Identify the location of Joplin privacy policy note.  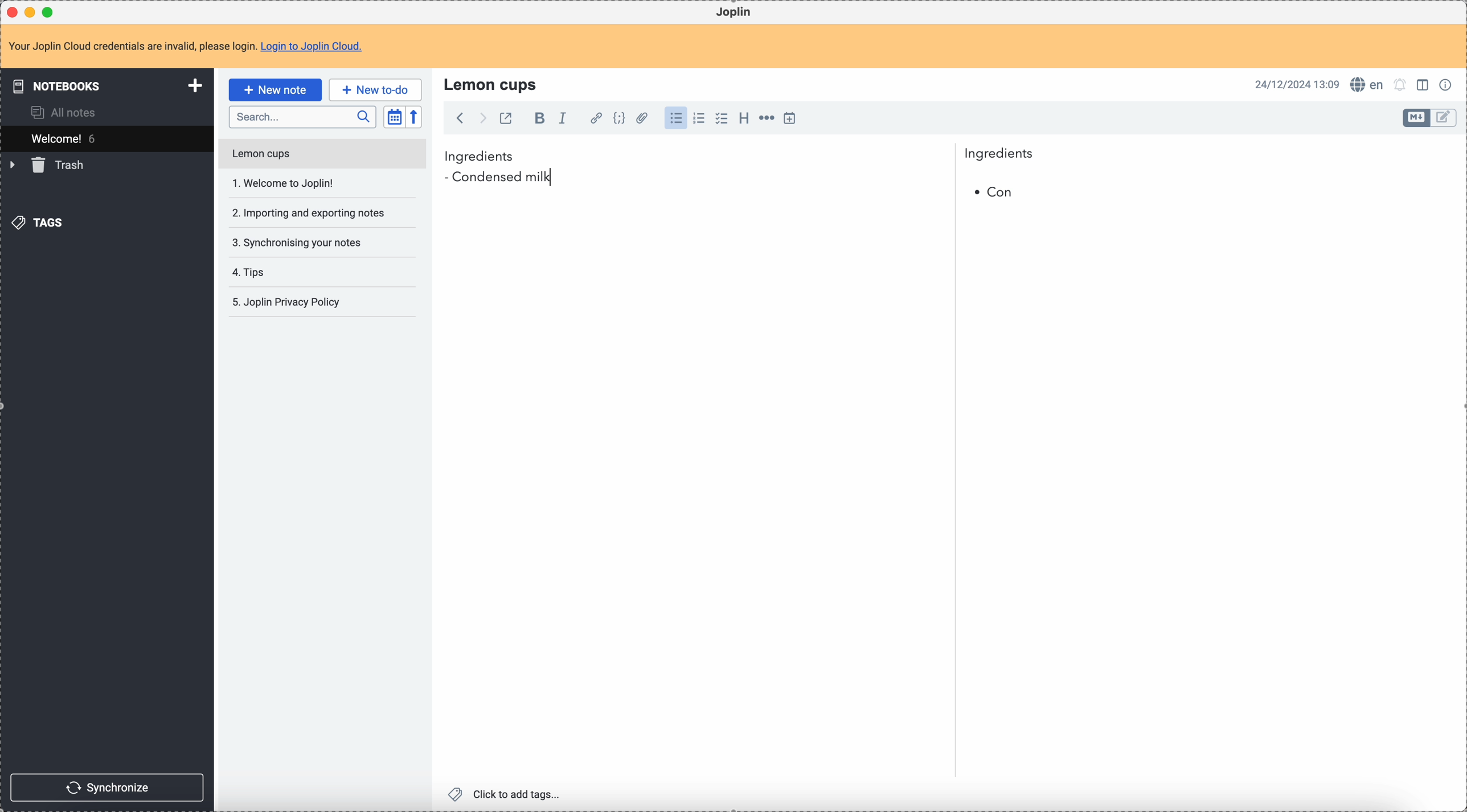
(289, 302).